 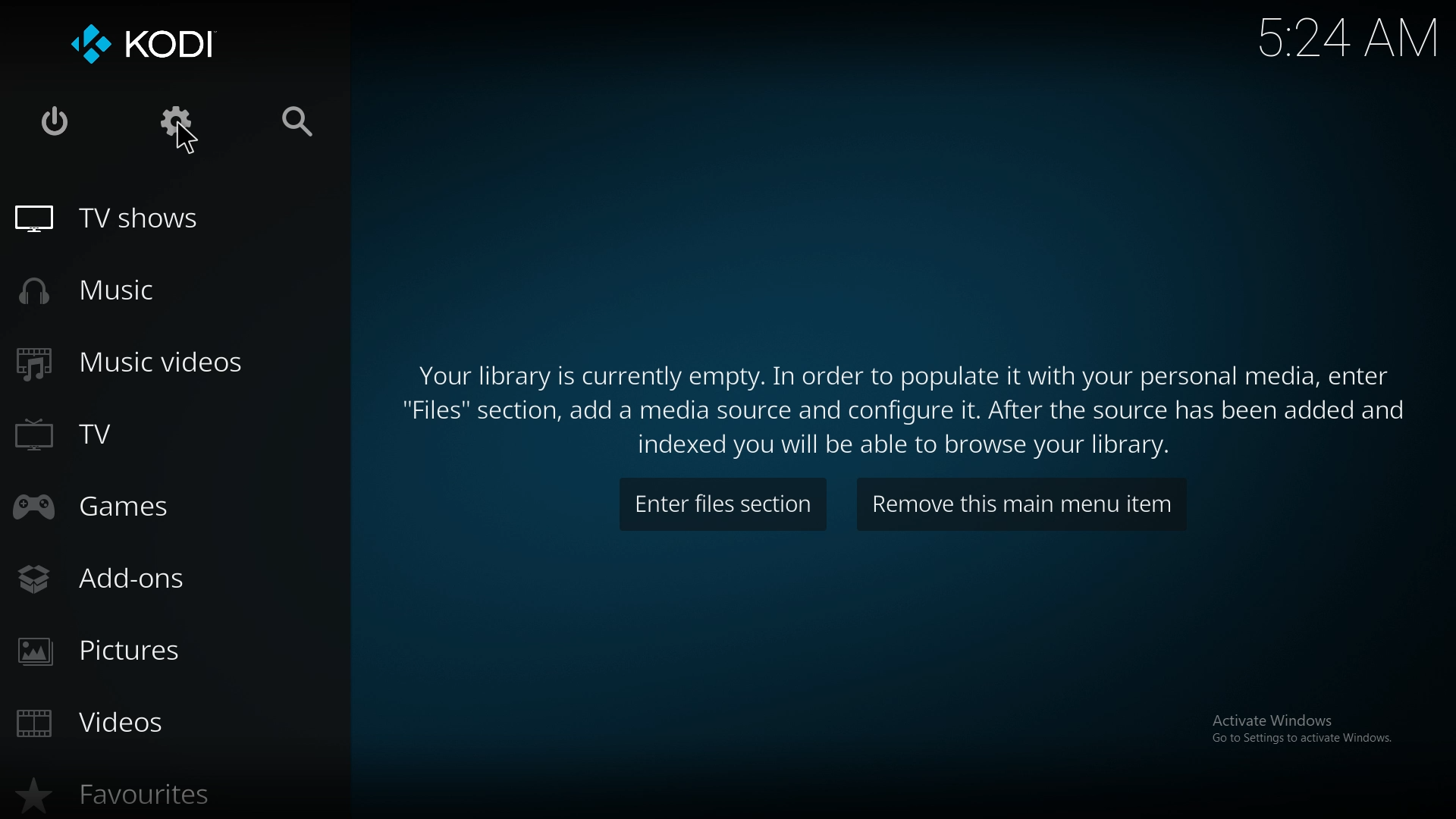 What do you see at coordinates (61, 122) in the screenshot?
I see `close` at bounding box center [61, 122].